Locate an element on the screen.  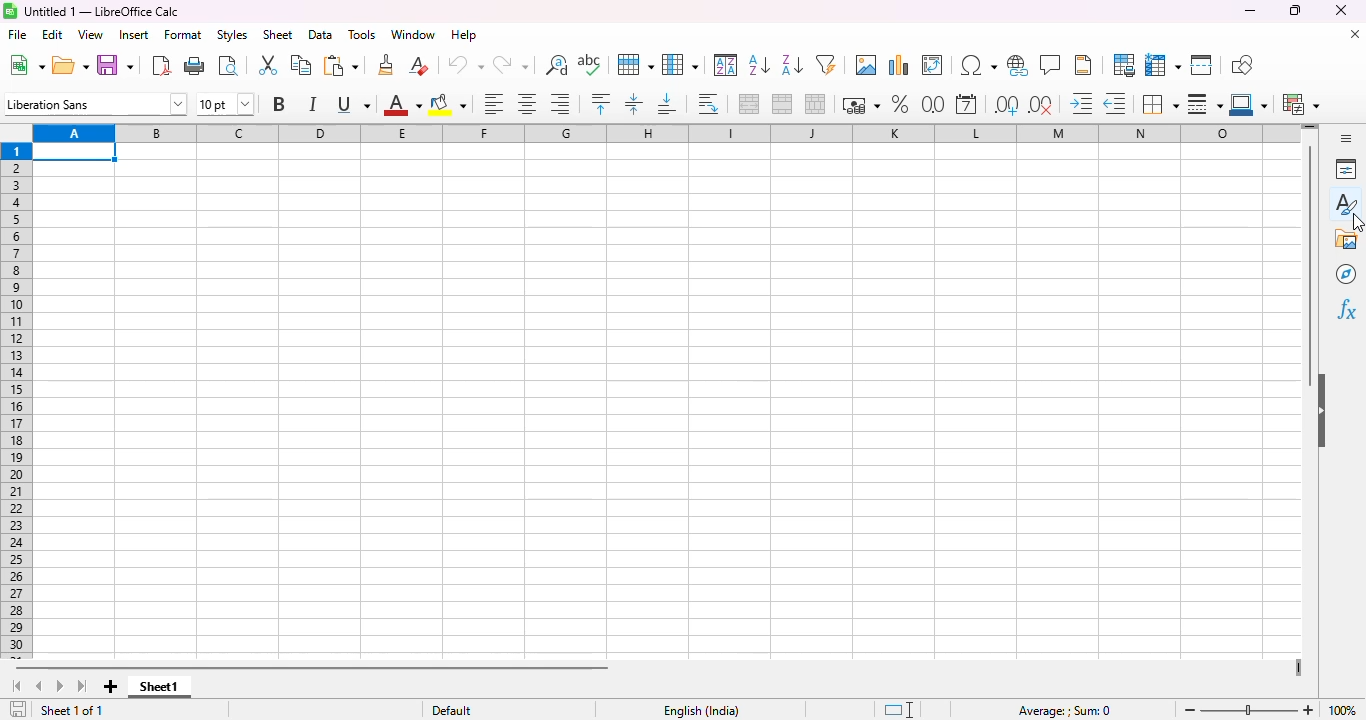
border style is located at coordinates (1205, 104).